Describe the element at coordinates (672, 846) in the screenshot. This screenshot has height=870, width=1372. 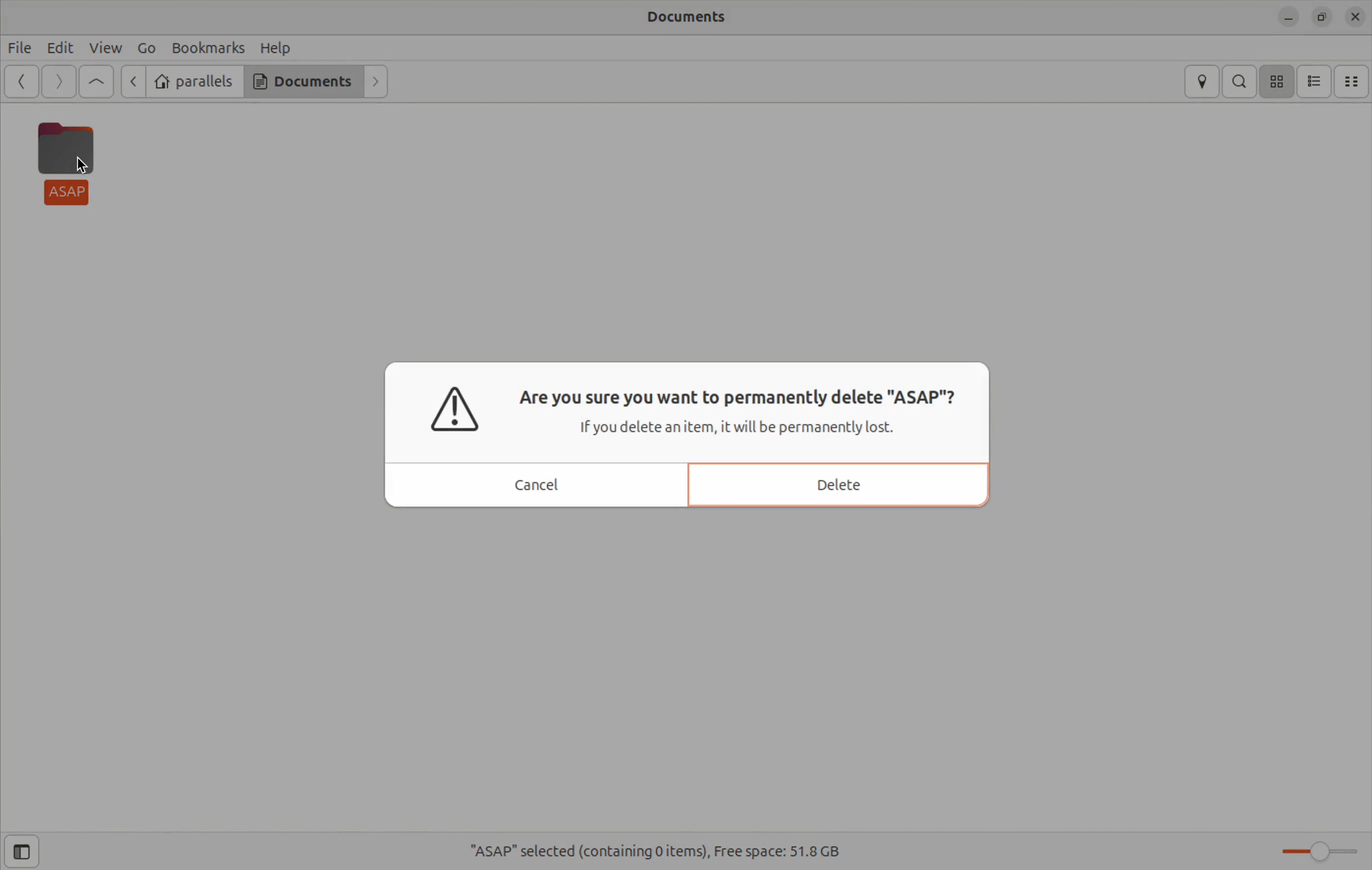
I see `"ASAP" selected(containing 0 items), Free space:51.8 GB` at that location.